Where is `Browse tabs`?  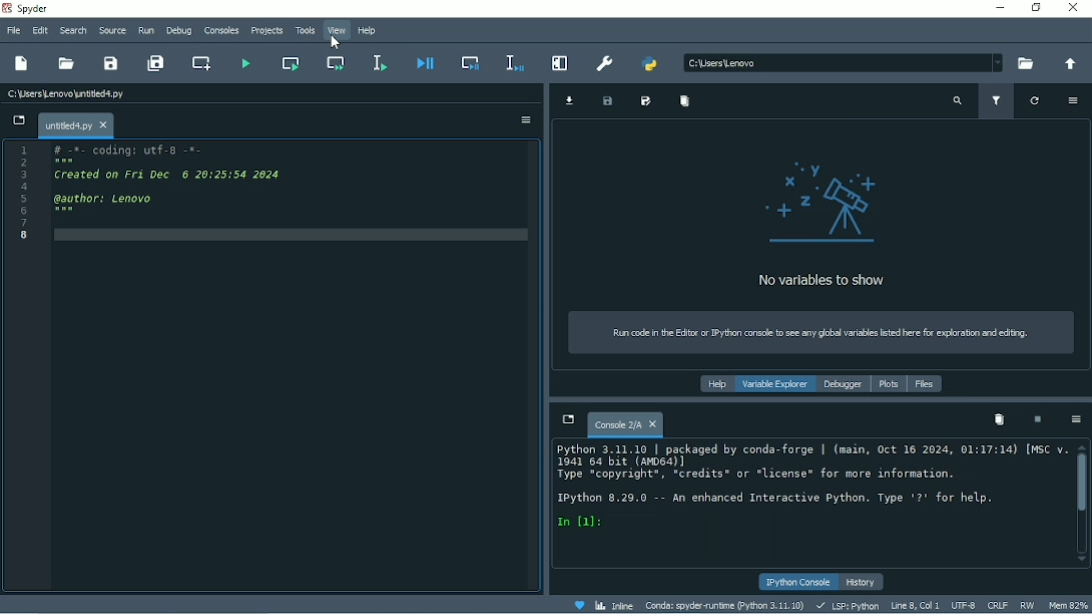 Browse tabs is located at coordinates (16, 122).